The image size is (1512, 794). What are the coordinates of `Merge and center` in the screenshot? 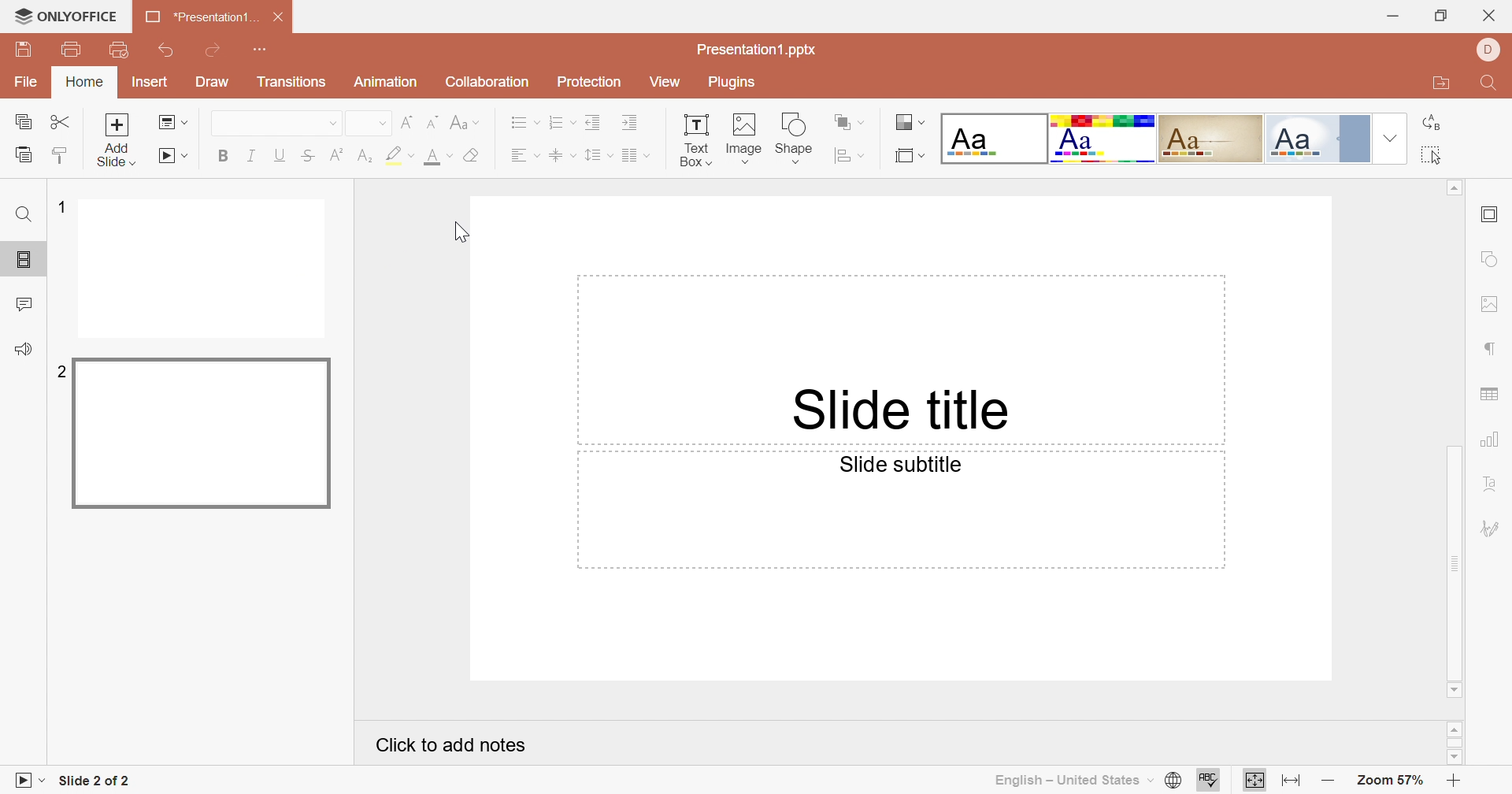 It's located at (636, 155).